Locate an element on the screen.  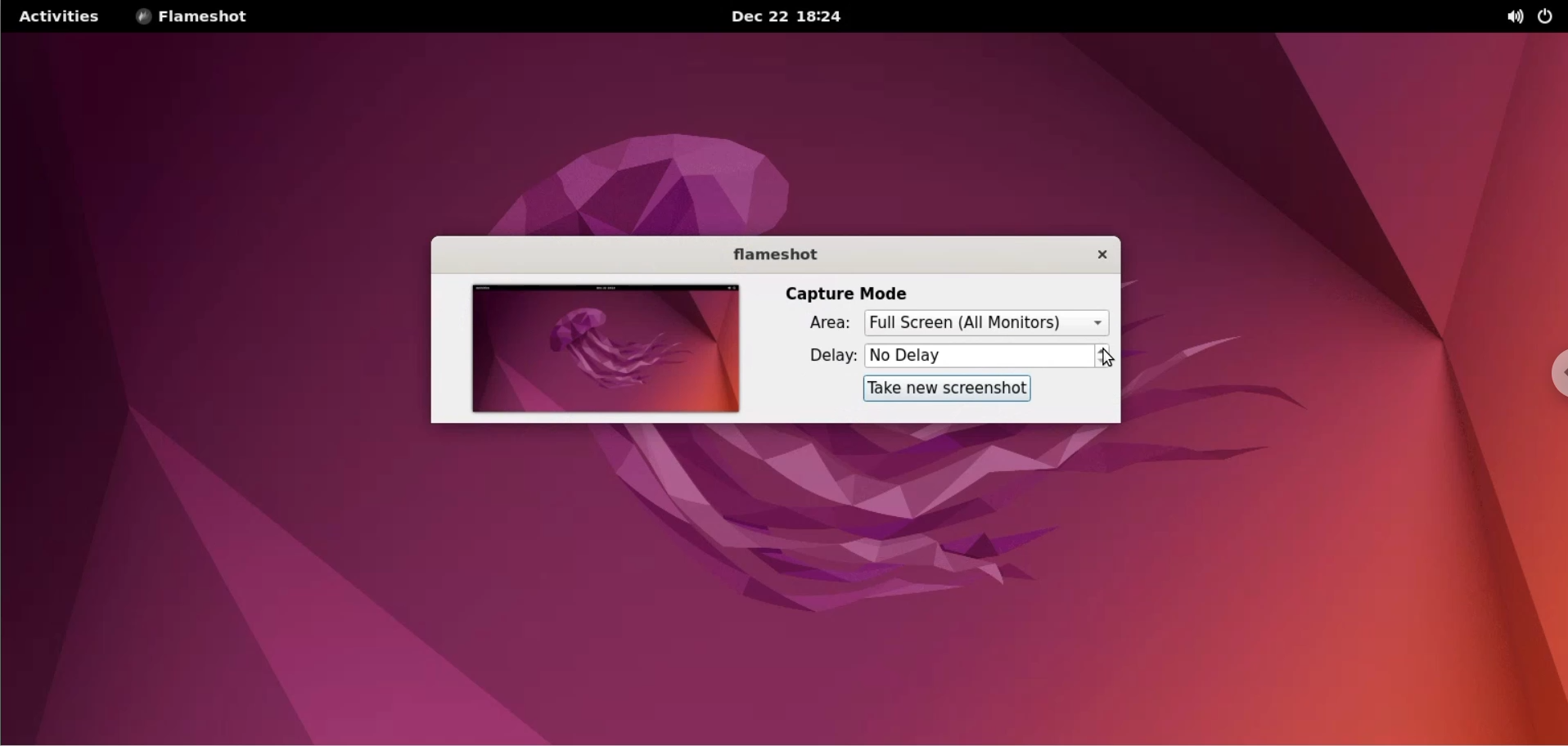
capture mode is located at coordinates (853, 291).